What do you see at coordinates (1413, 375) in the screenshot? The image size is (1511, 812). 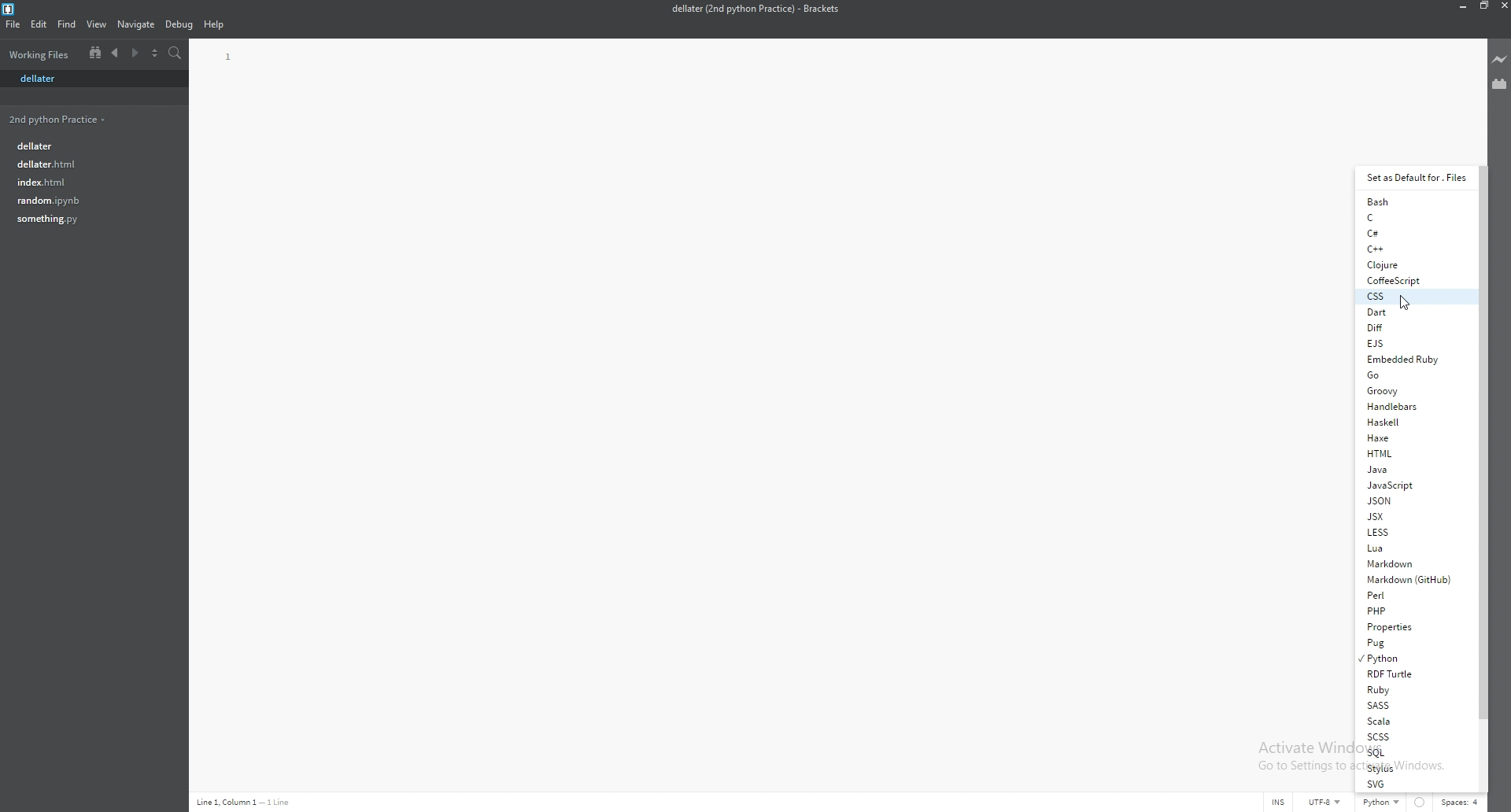 I see `go` at bounding box center [1413, 375].